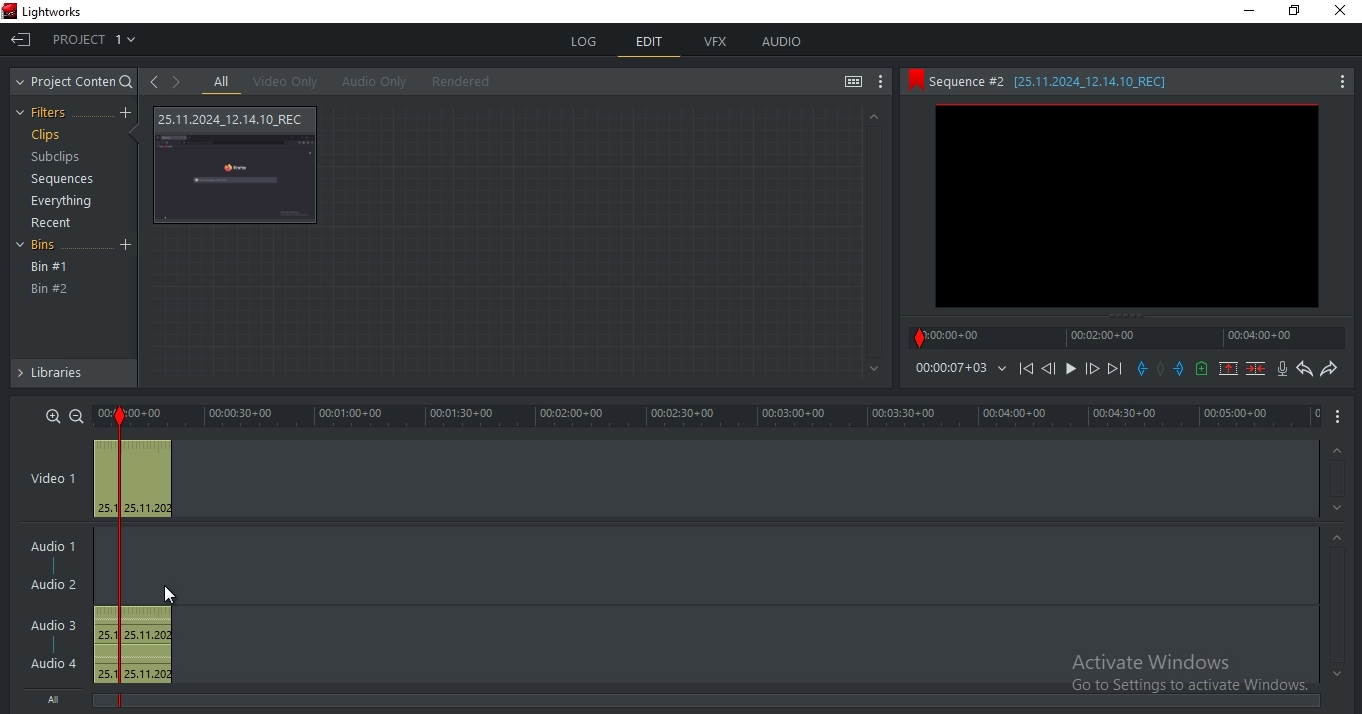  I want to click on Close, so click(1341, 16).